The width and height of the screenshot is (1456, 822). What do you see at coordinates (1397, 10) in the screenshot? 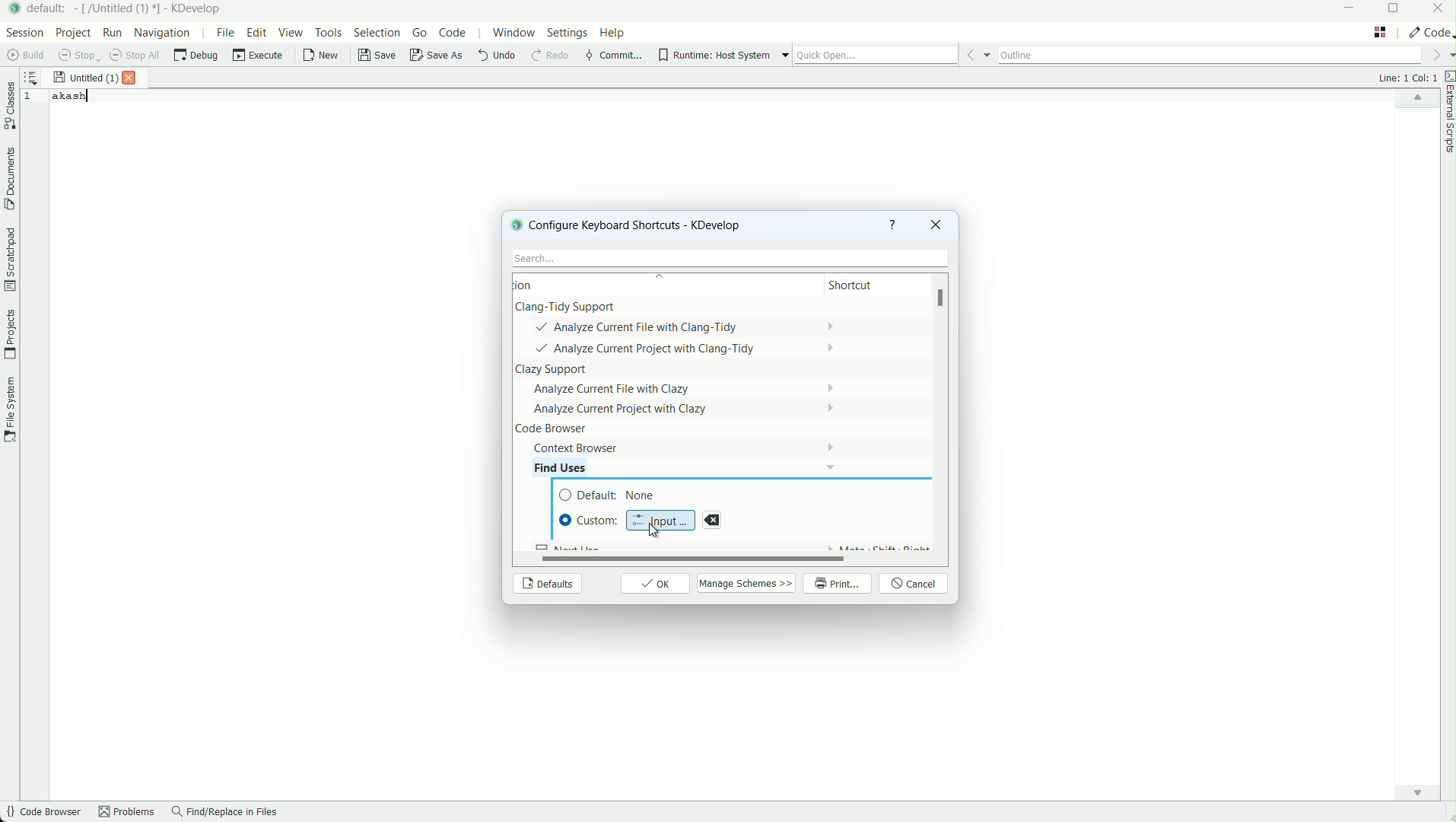
I see `maximize or restore` at bounding box center [1397, 10].